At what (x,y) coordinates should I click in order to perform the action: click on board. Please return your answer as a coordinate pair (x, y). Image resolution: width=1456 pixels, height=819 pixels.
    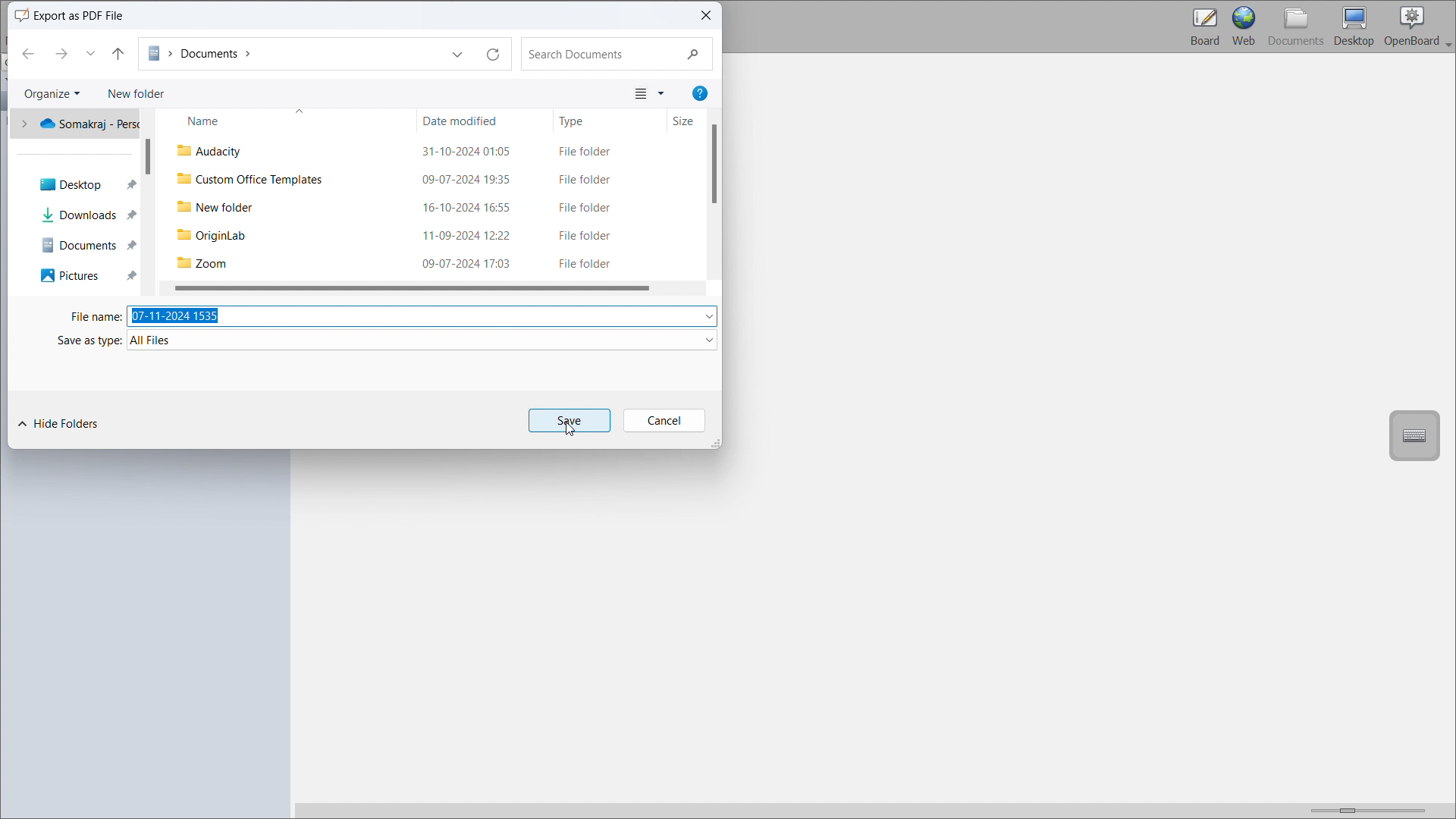
    Looking at the image, I should click on (1203, 27).